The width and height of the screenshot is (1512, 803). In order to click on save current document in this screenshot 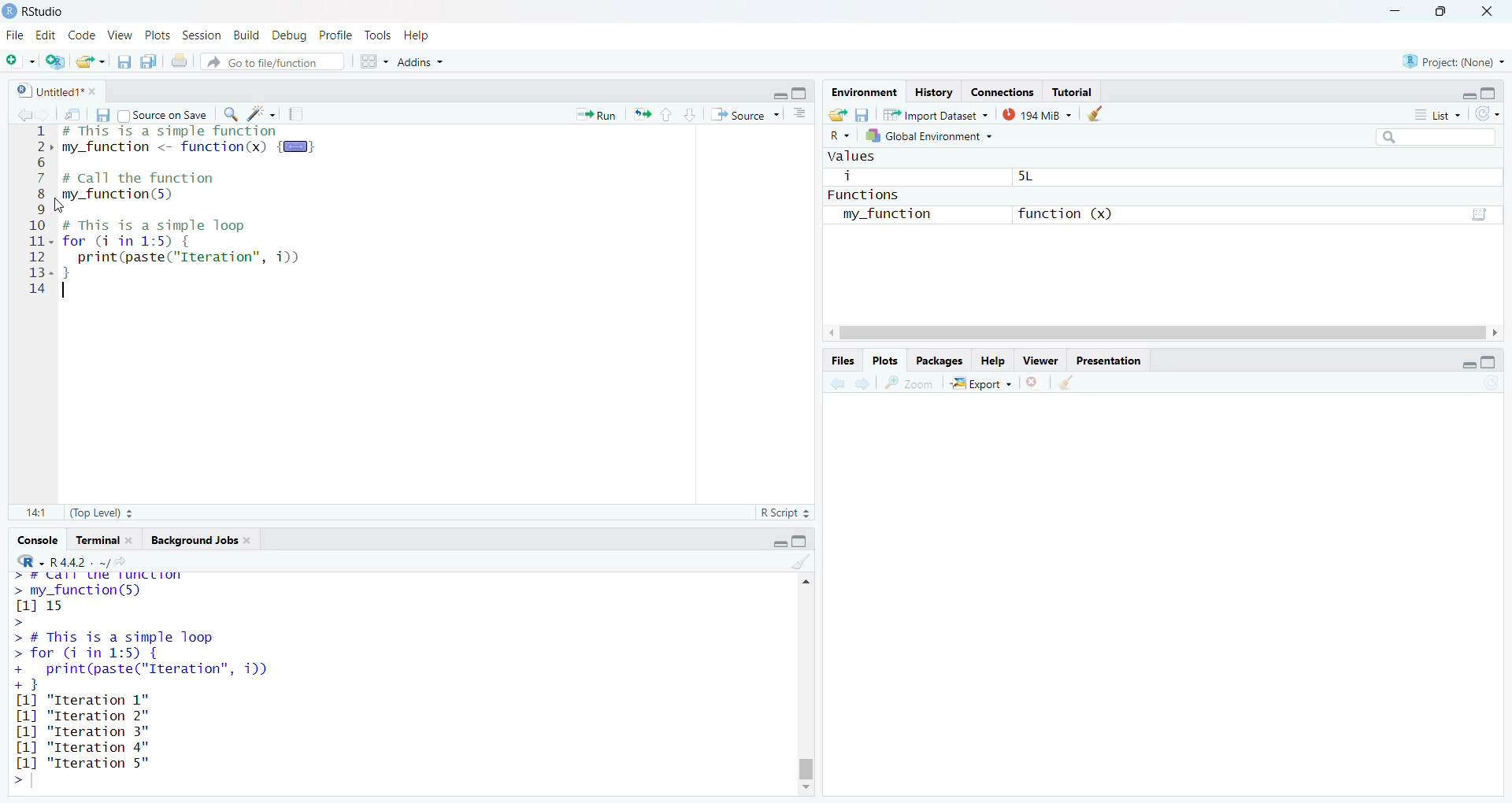, I will do `click(124, 61)`.